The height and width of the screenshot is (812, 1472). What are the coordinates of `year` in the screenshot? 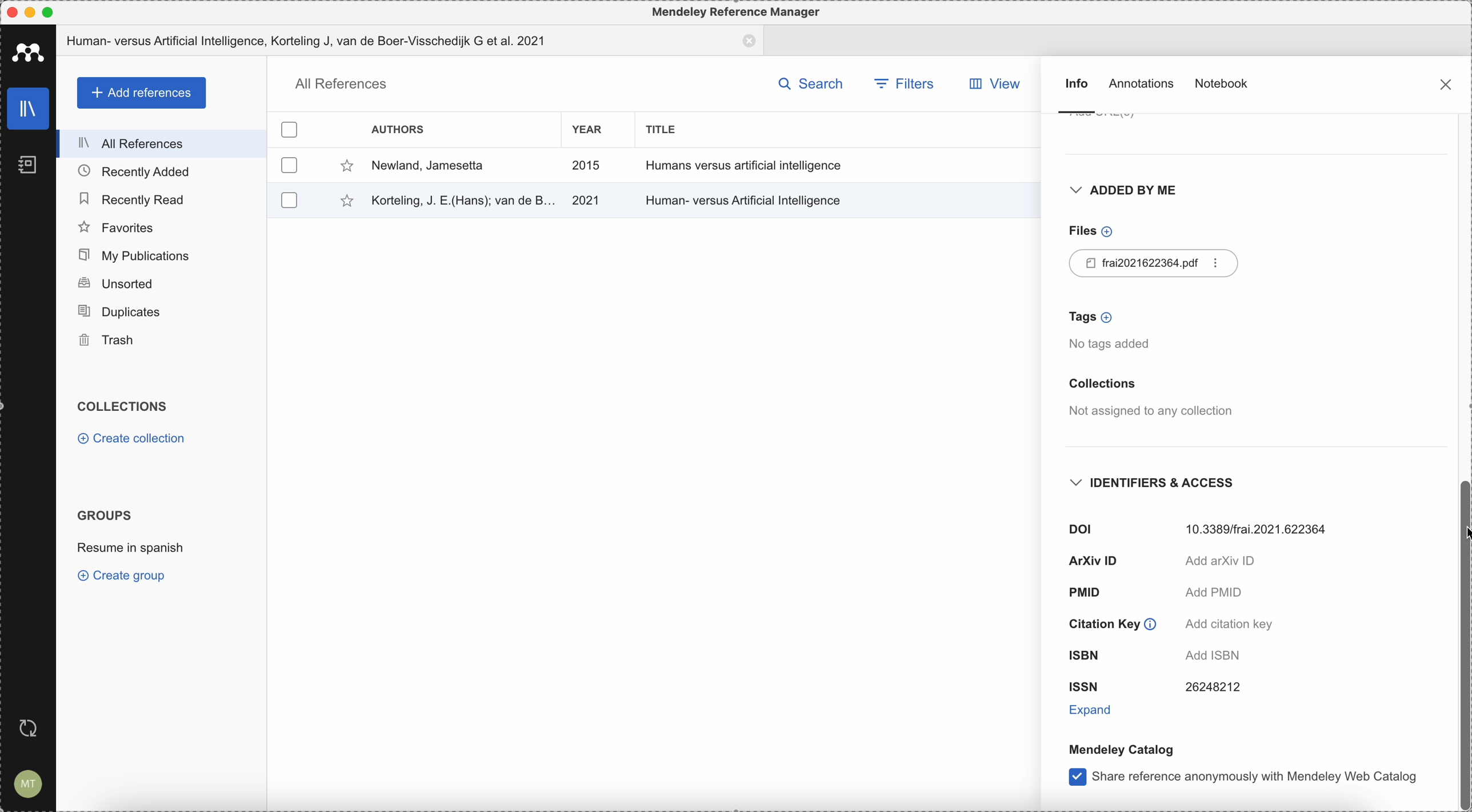 It's located at (587, 130).